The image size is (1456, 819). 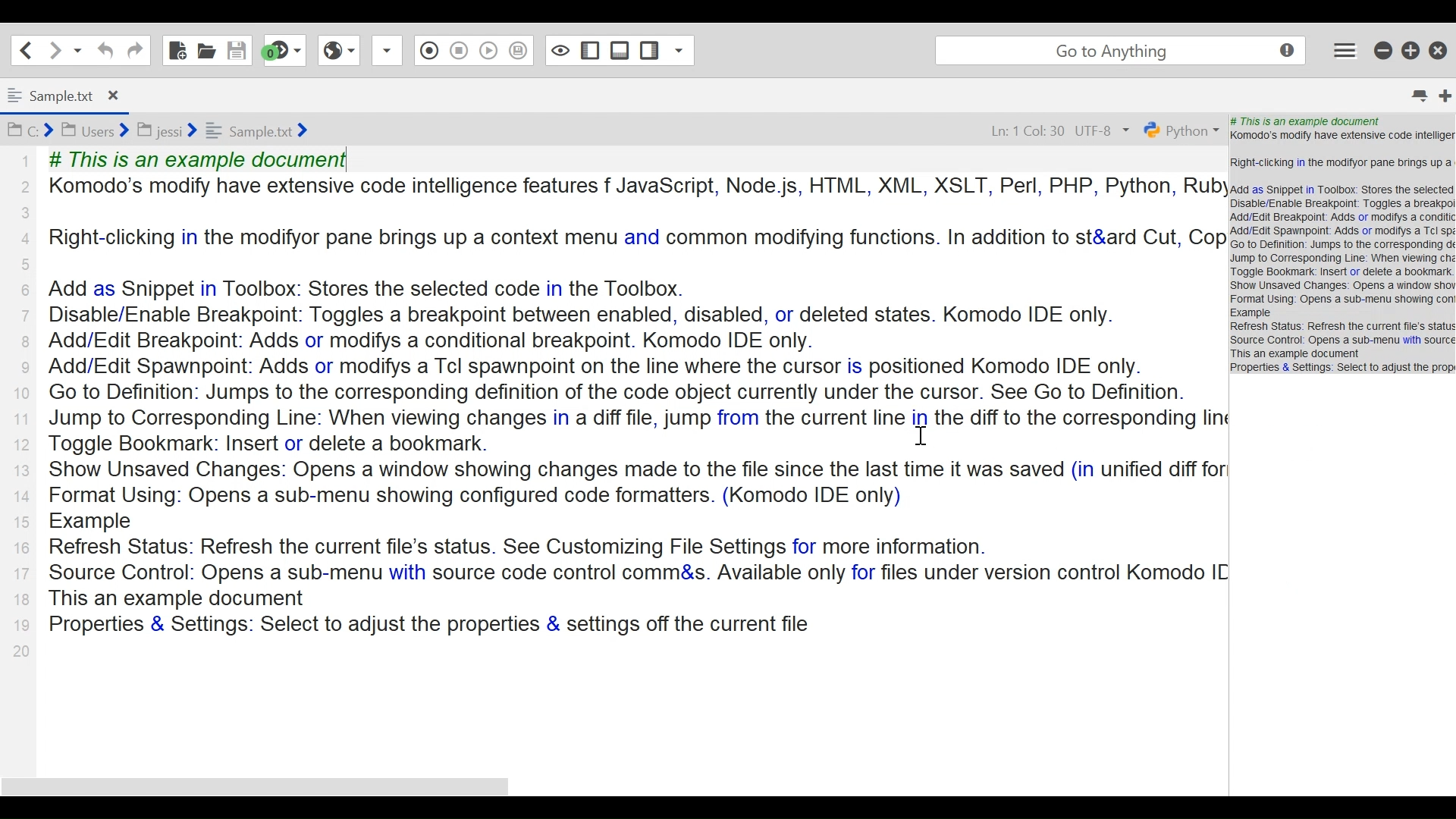 What do you see at coordinates (1414, 93) in the screenshot?
I see `List all tabs` at bounding box center [1414, 93].